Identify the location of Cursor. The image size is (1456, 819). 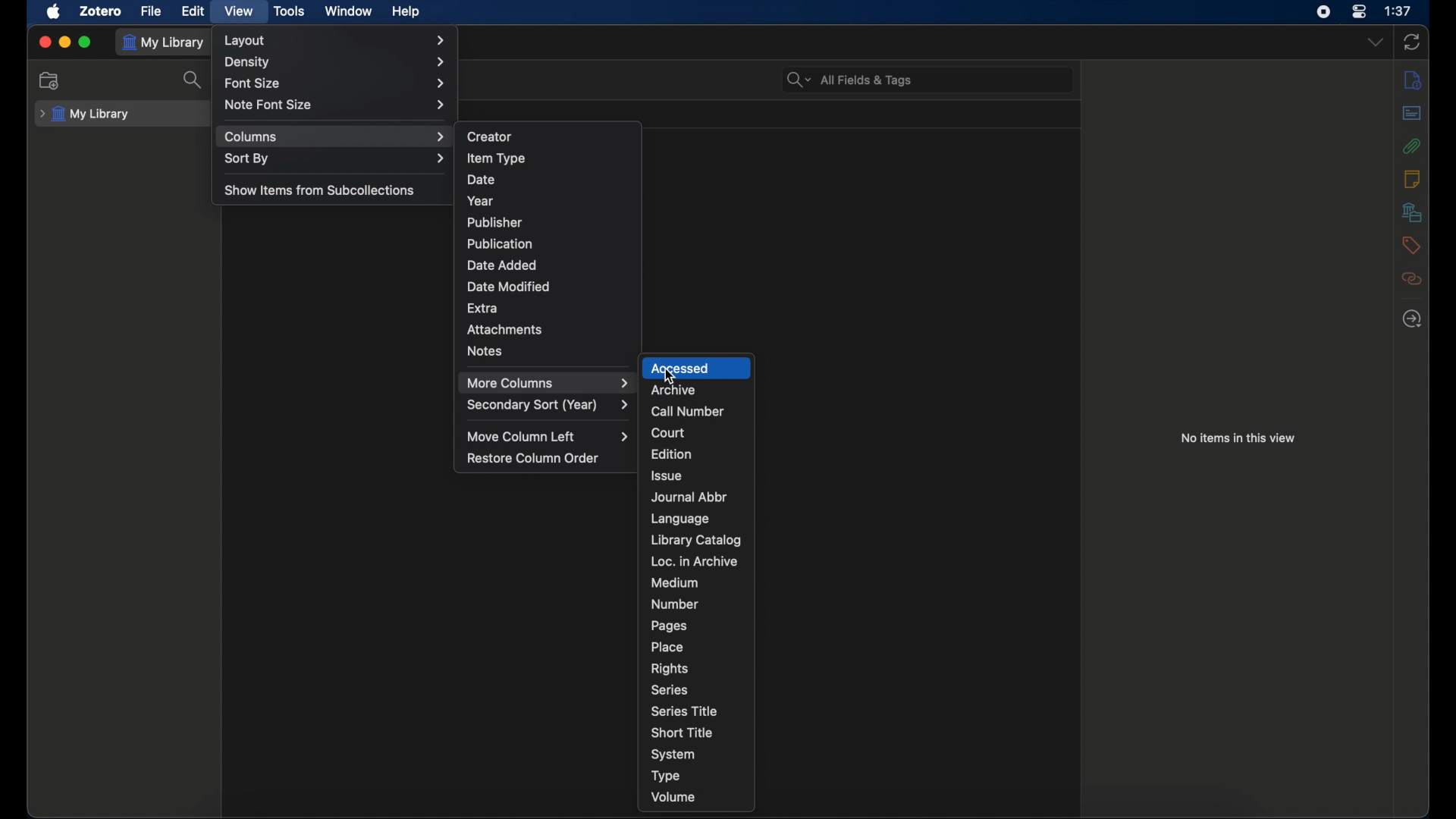
(671, 378).